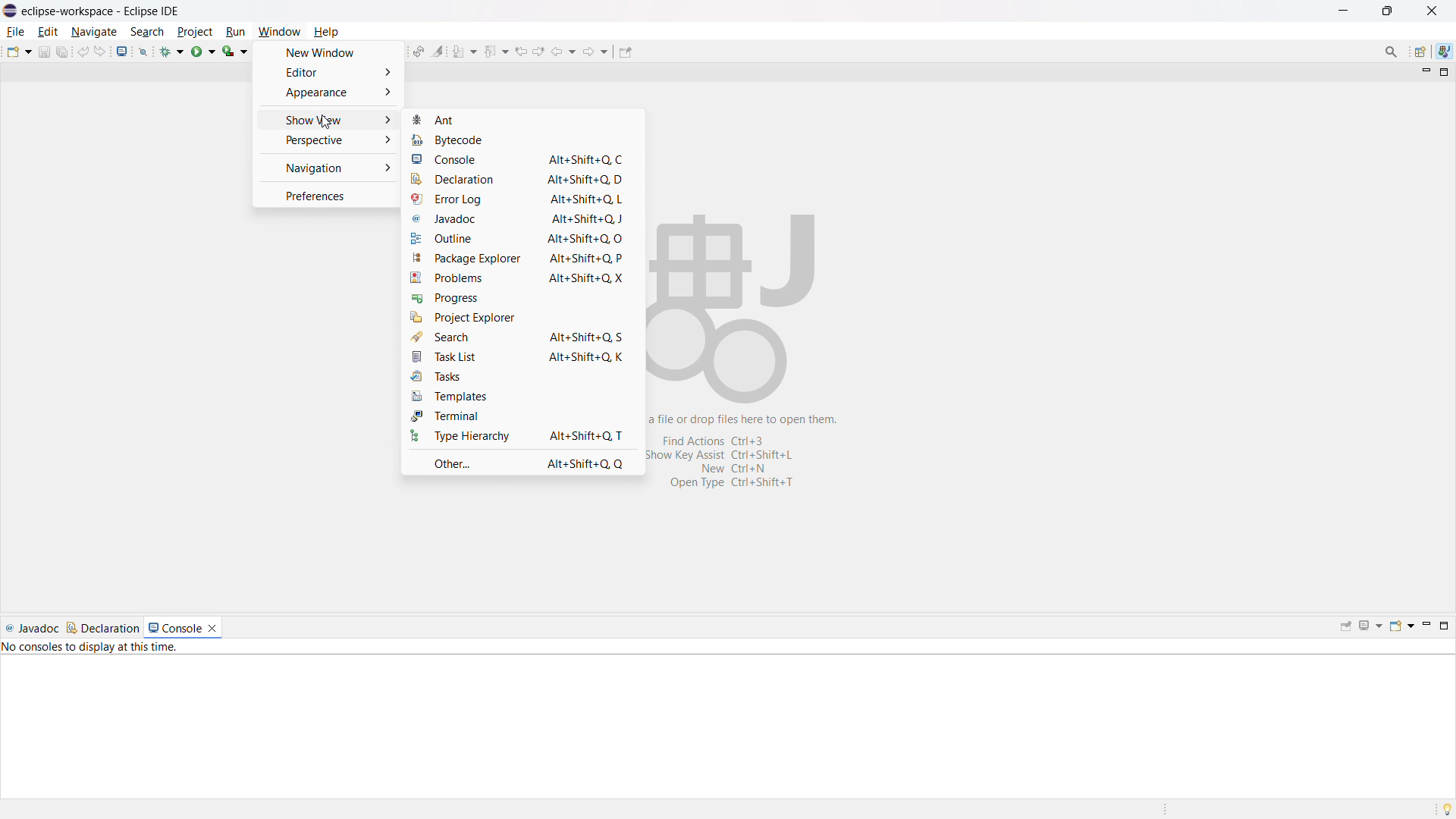  I want to click on search, so click(148, 32).